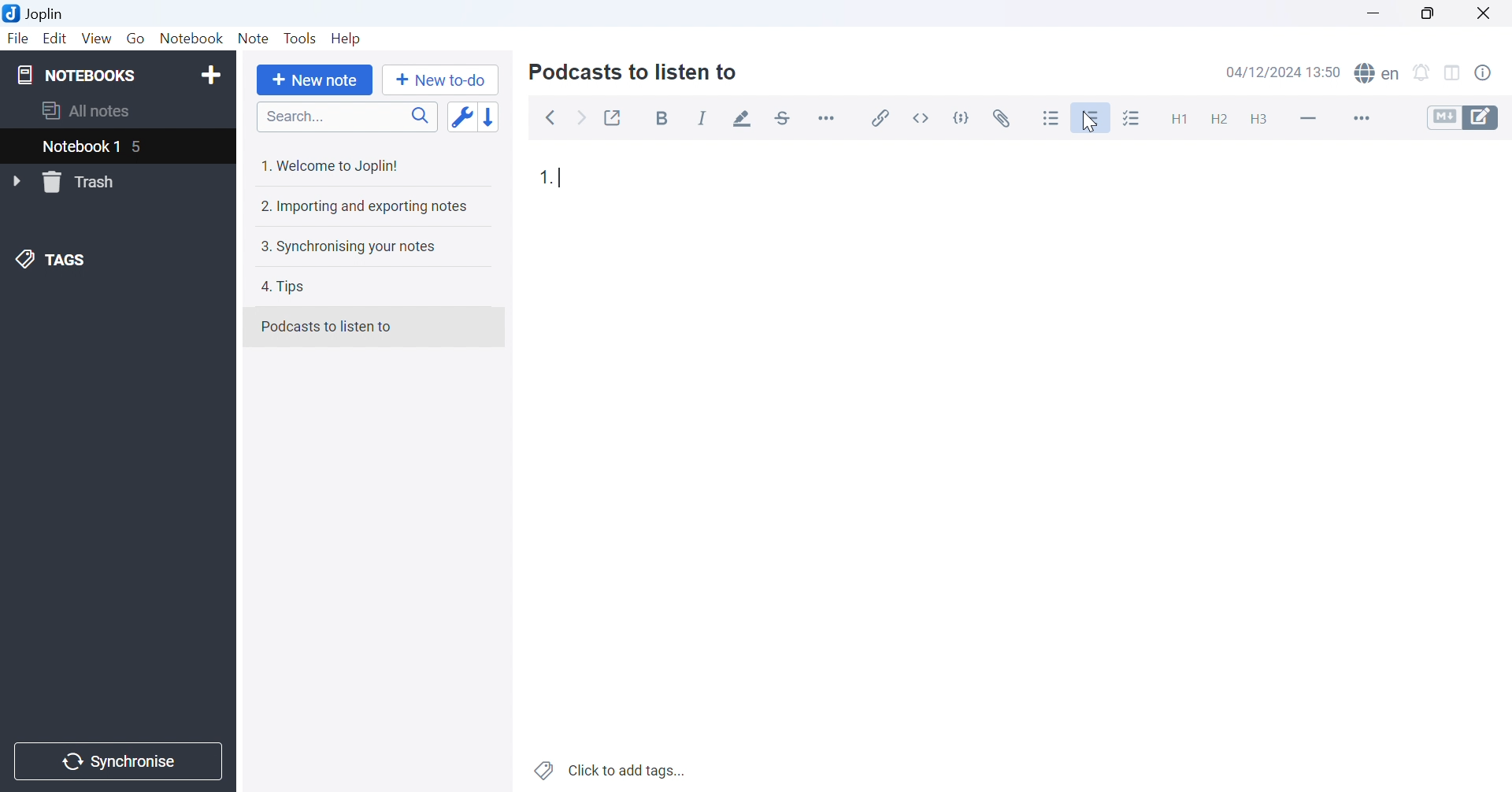  What do you see at coordinates (445, 80) in the screenshot?
I see `New to-do` at bounding box center [445, 80].